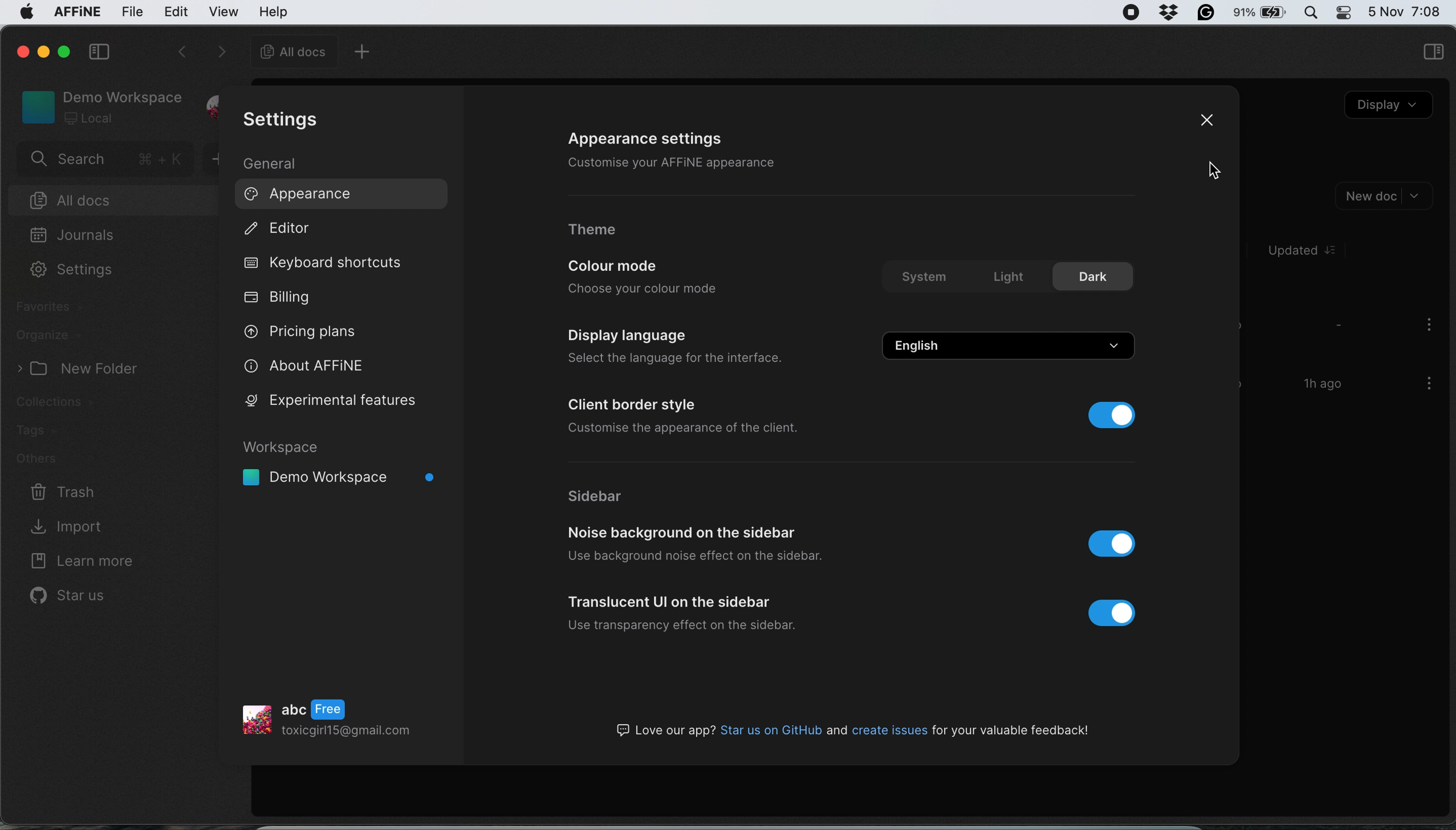  I want to click on switch between options, so click(221, 51).